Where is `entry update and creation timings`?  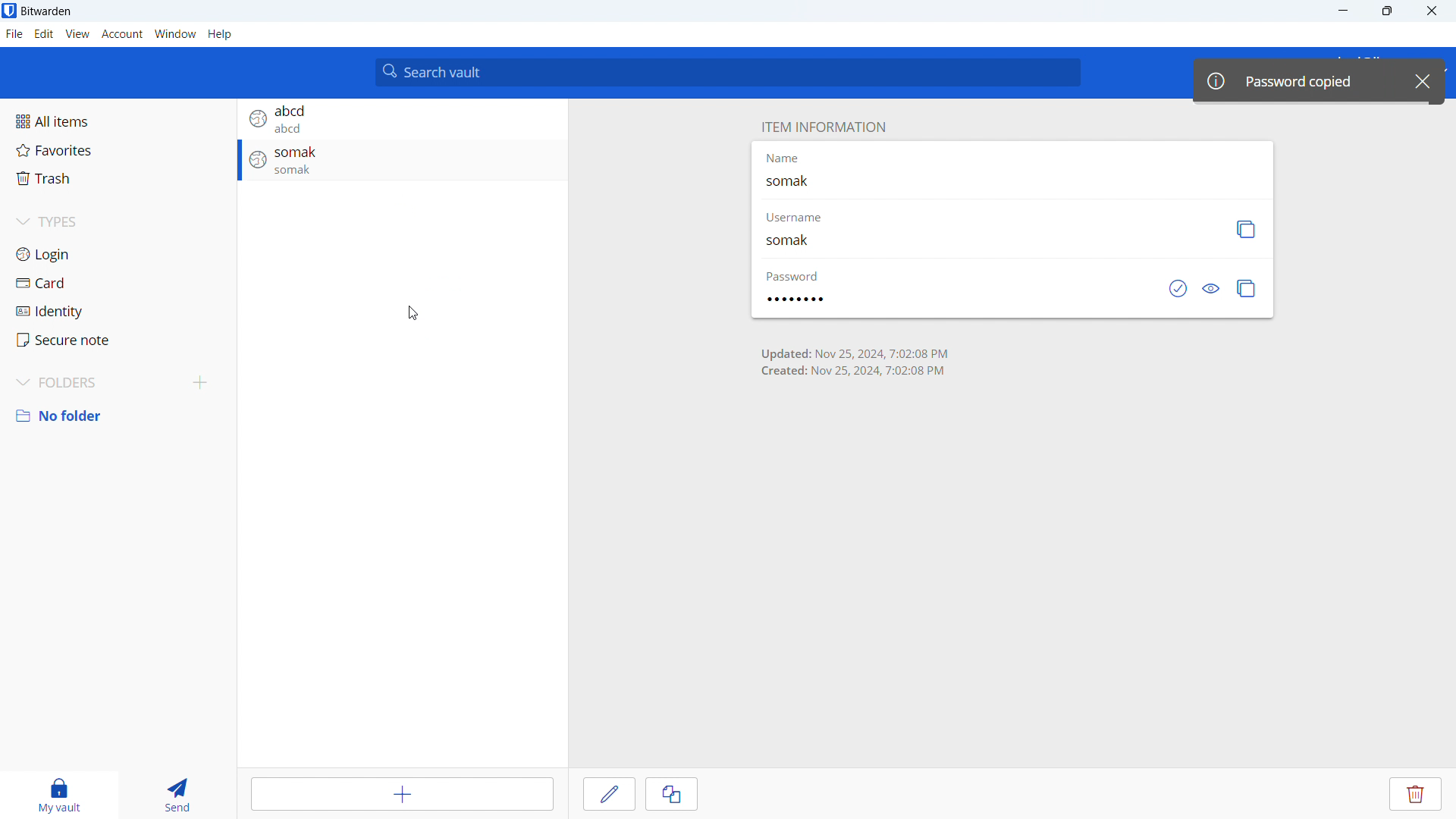
entry update and creation timings is located at coordinates (855, 362).